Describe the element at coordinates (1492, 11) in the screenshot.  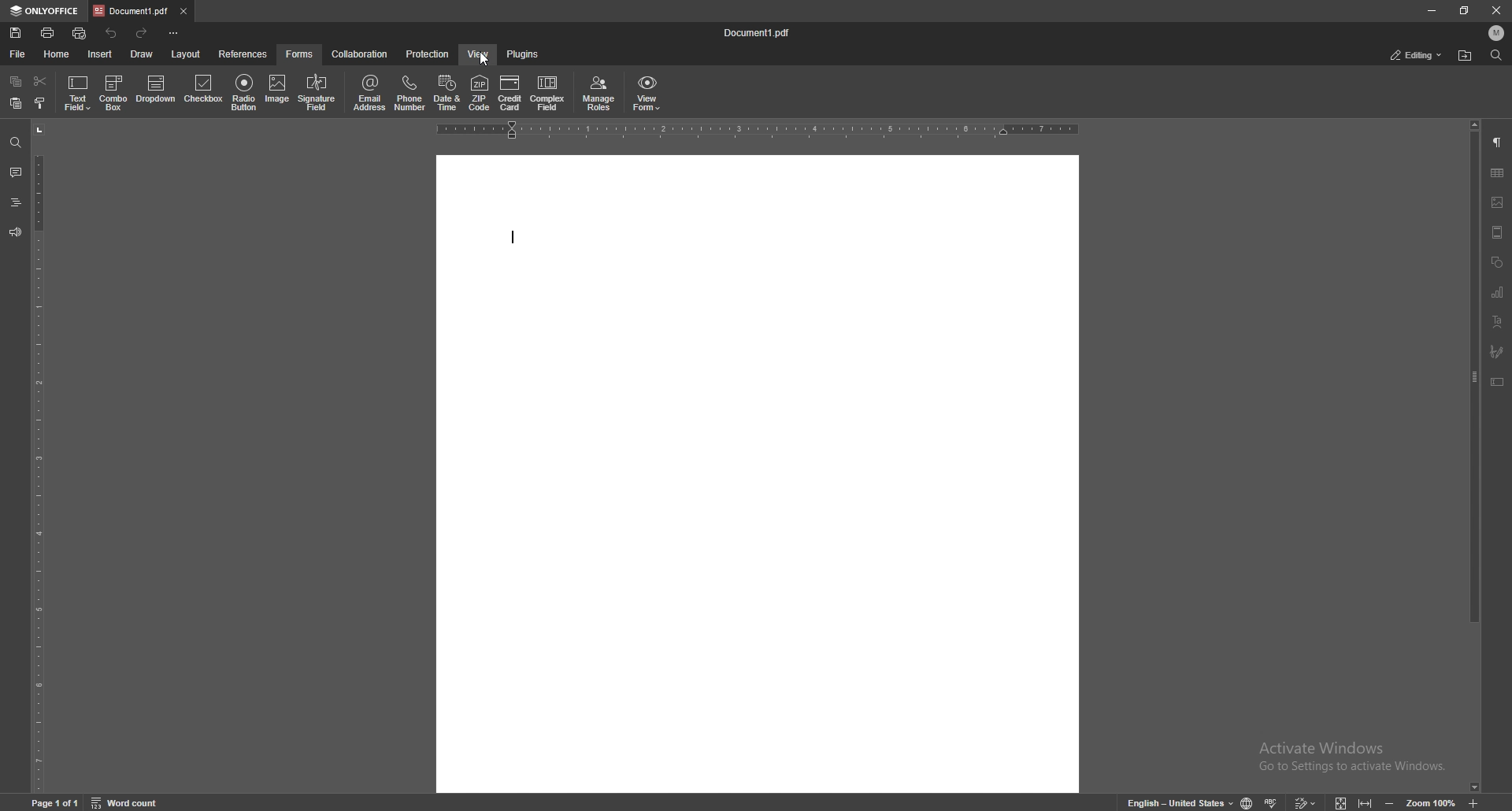
I see `close` at that location.